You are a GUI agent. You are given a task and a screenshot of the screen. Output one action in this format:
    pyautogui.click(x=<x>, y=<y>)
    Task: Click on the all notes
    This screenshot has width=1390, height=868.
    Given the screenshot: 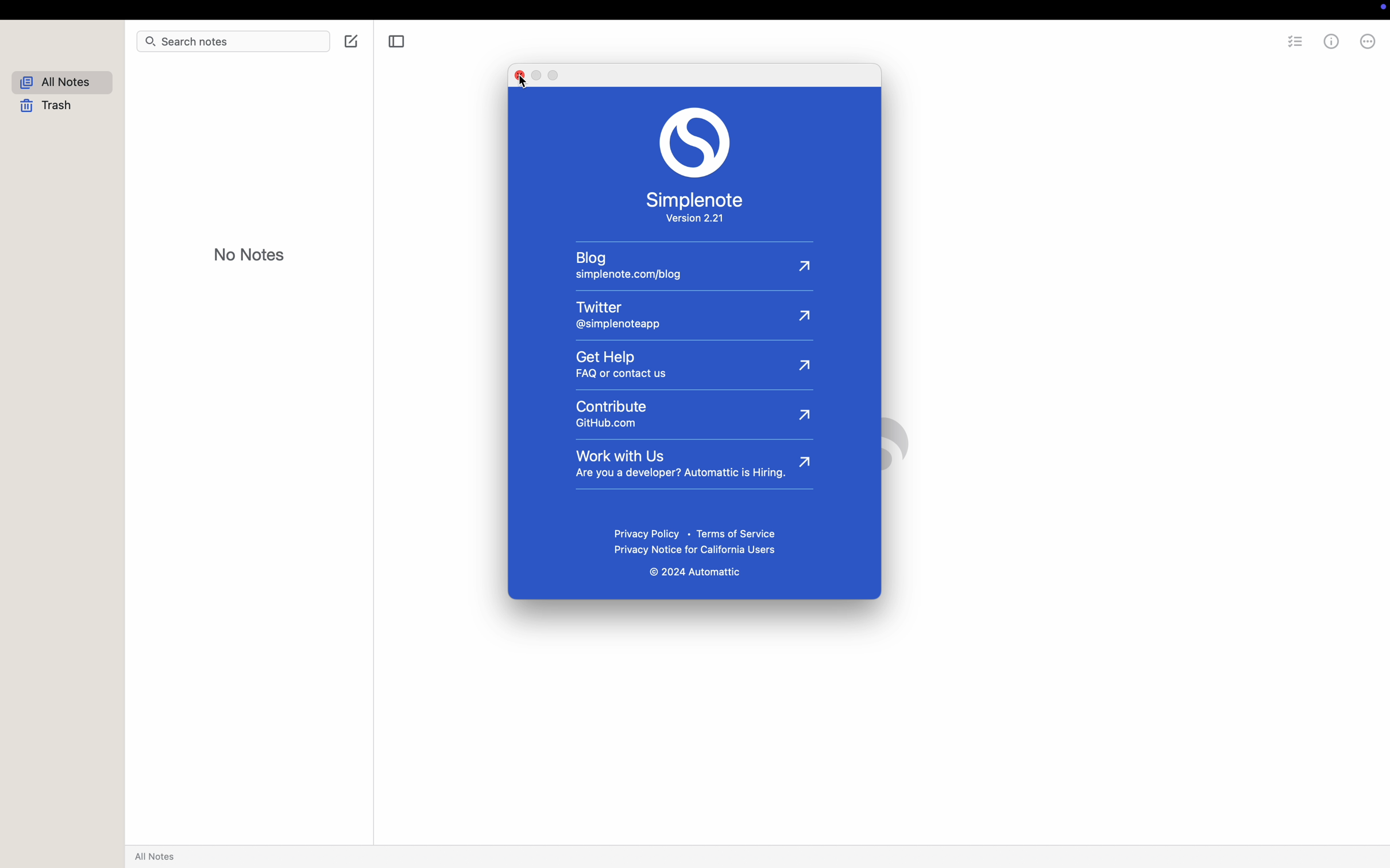 What is the action you would take?
    pyautogui.click(x=158, y=857)
    